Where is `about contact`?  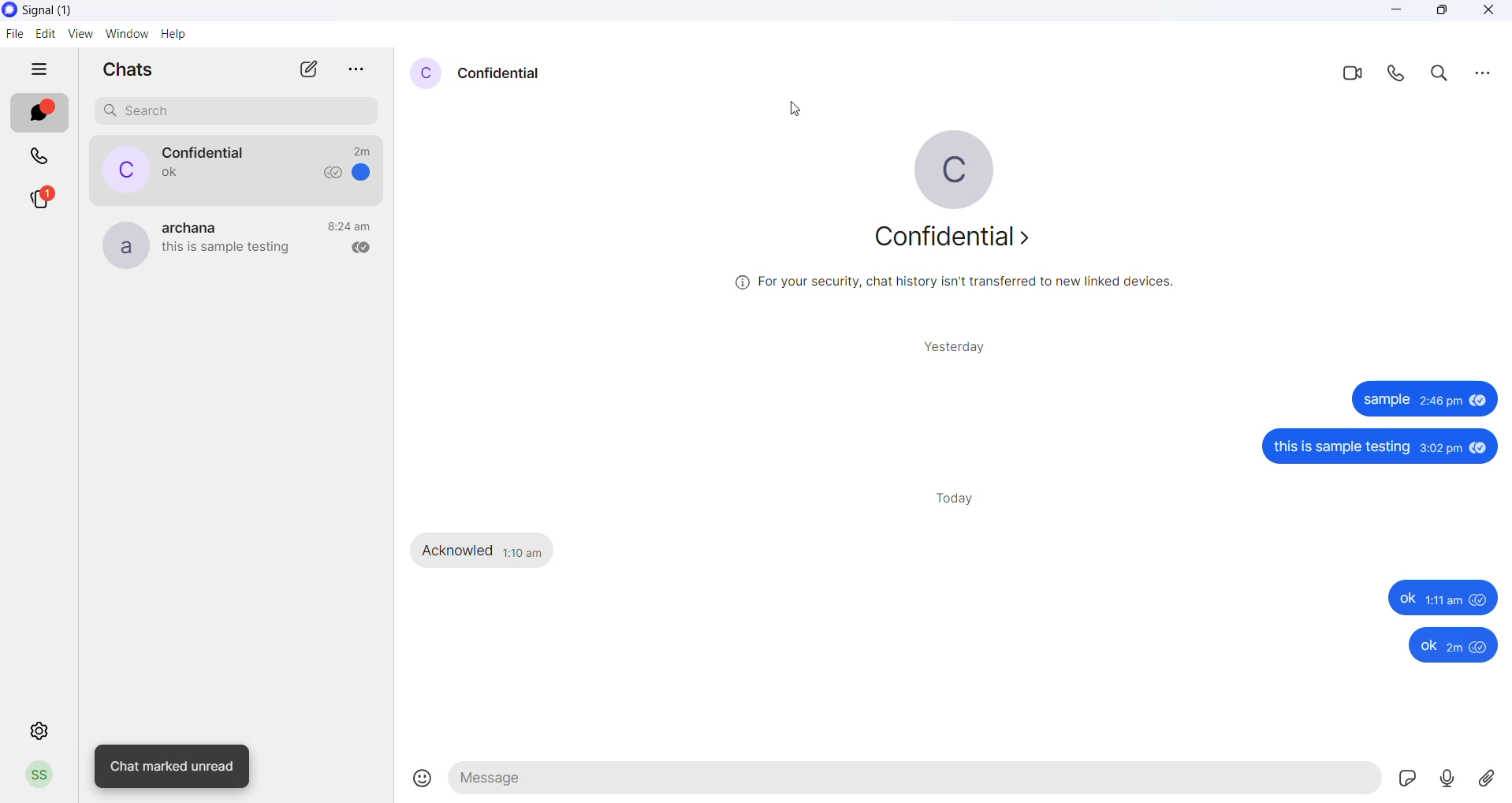 about contact is located at coordinates (961, 238).